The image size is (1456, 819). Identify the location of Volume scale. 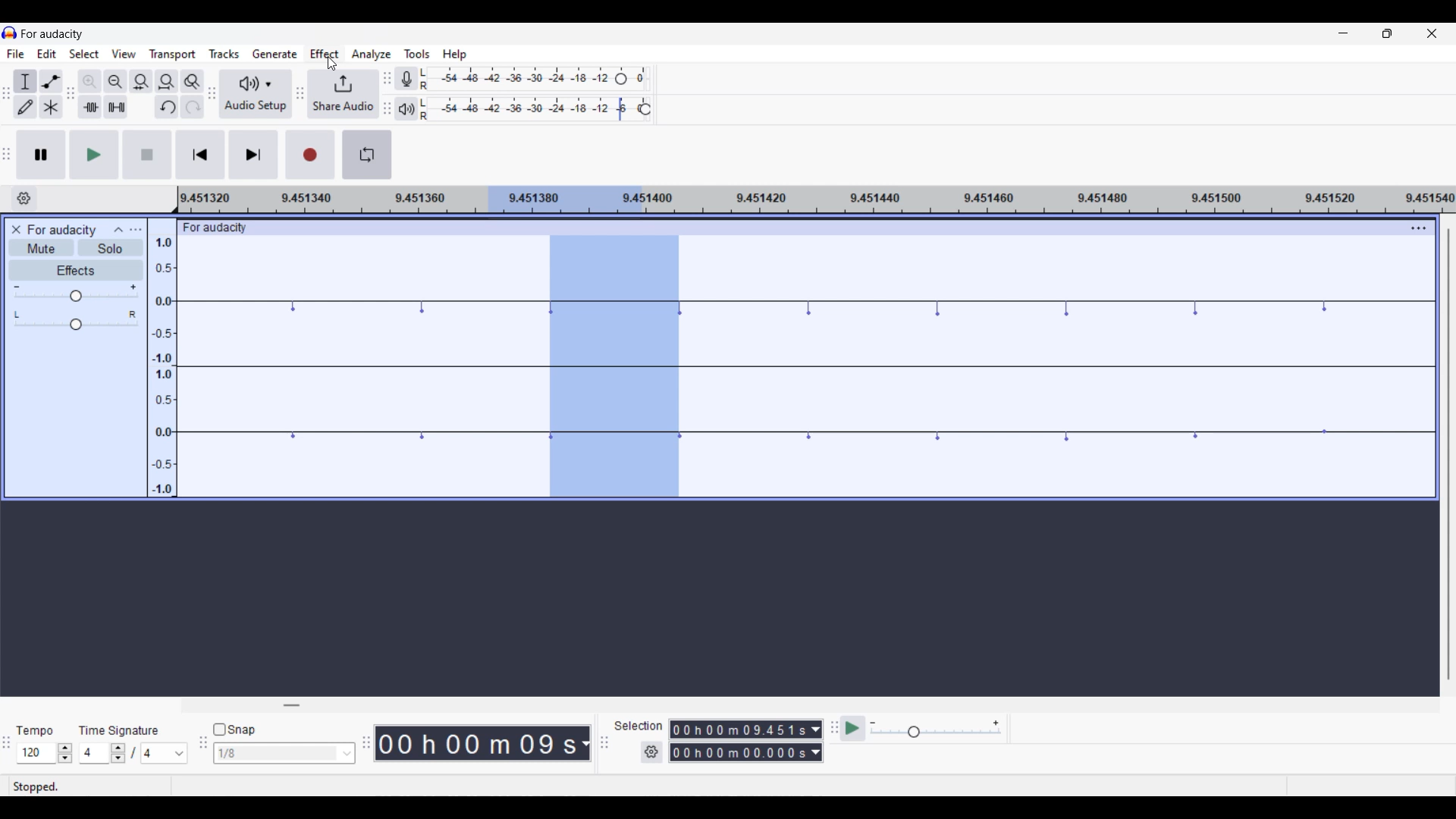
(76, 293).